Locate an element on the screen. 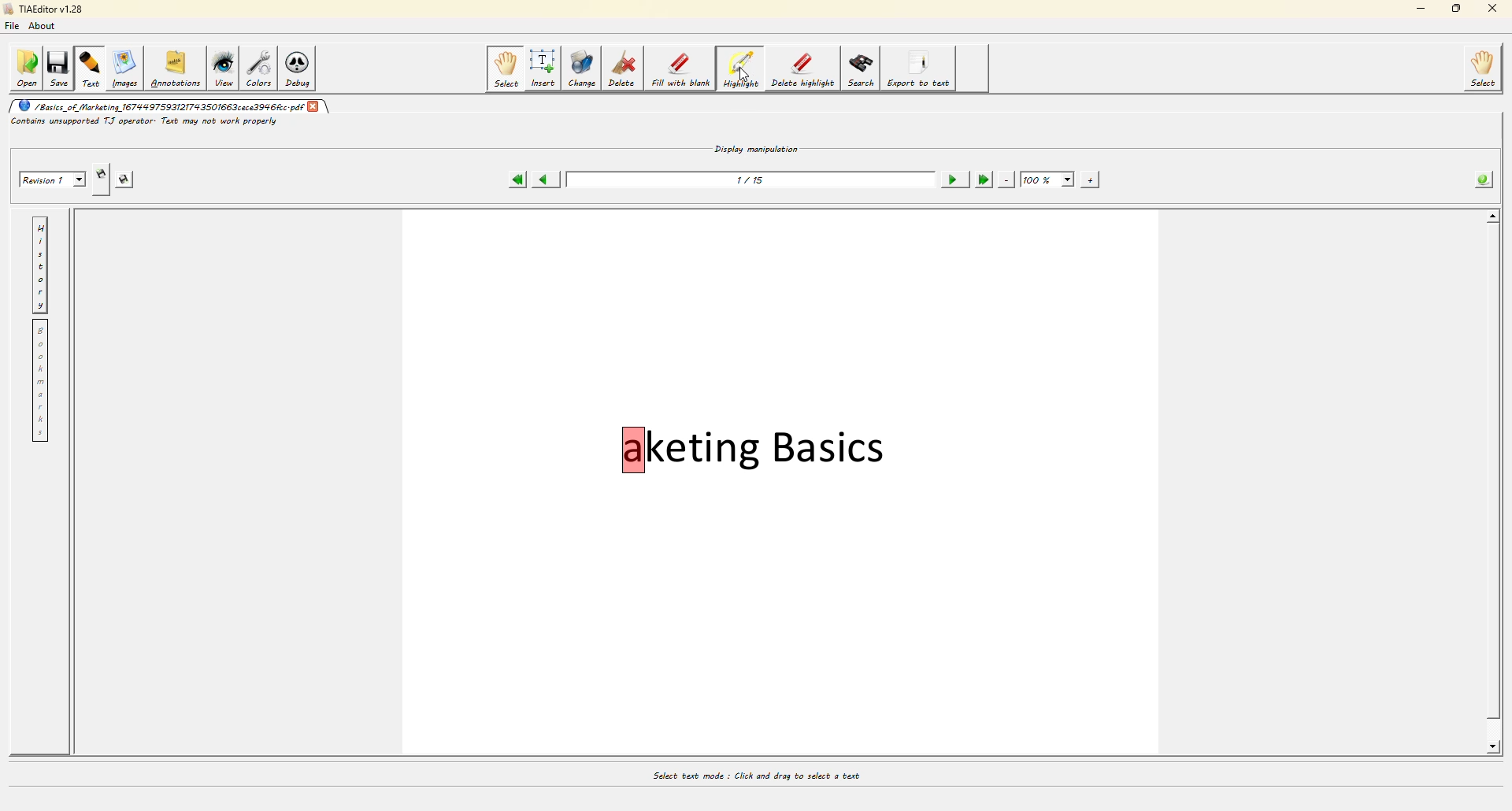  tiaeditor is located at coordinates (49, 9).